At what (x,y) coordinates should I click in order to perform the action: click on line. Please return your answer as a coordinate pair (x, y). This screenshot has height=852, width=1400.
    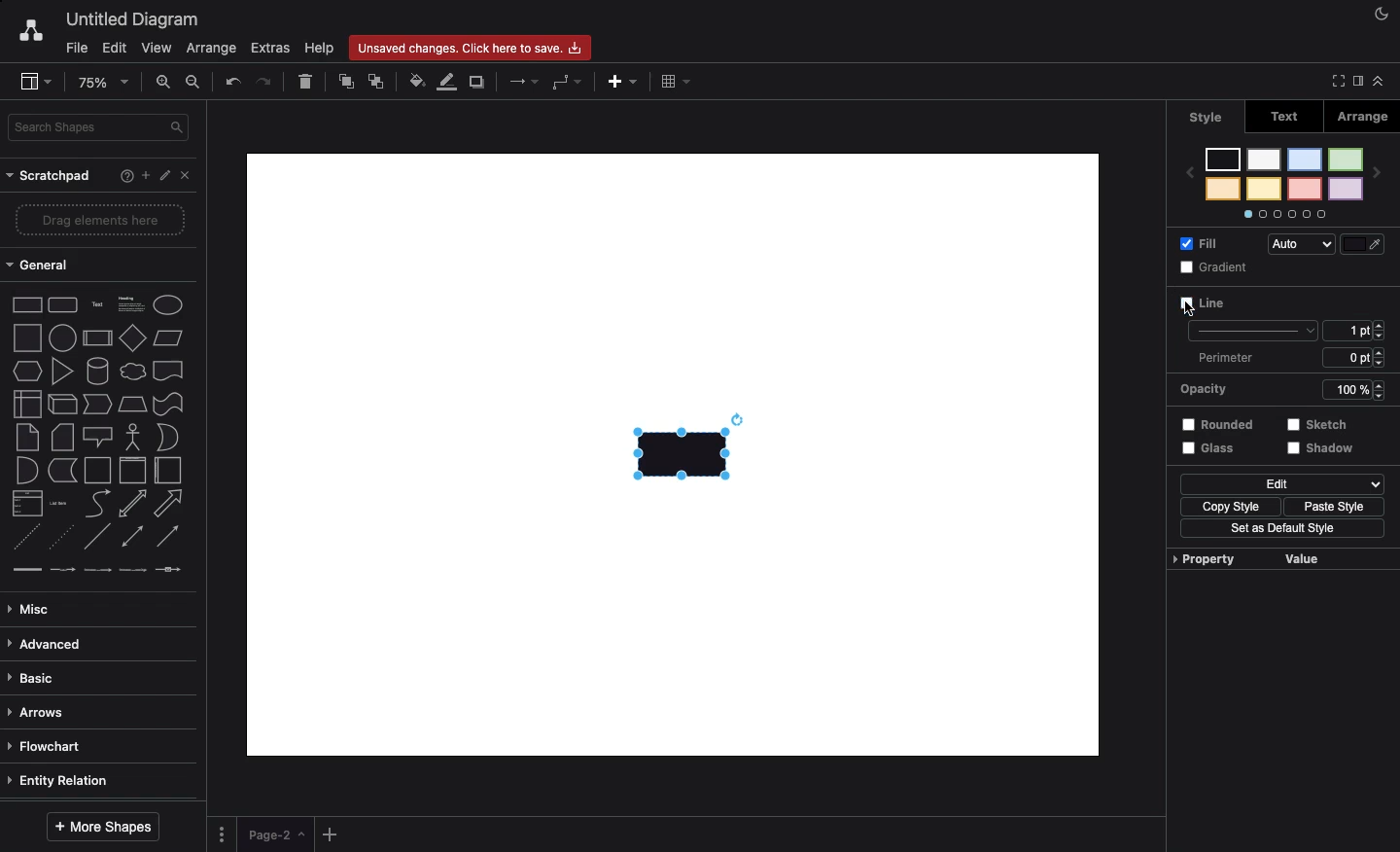
    Looking at the image, I should click on (96, 538).